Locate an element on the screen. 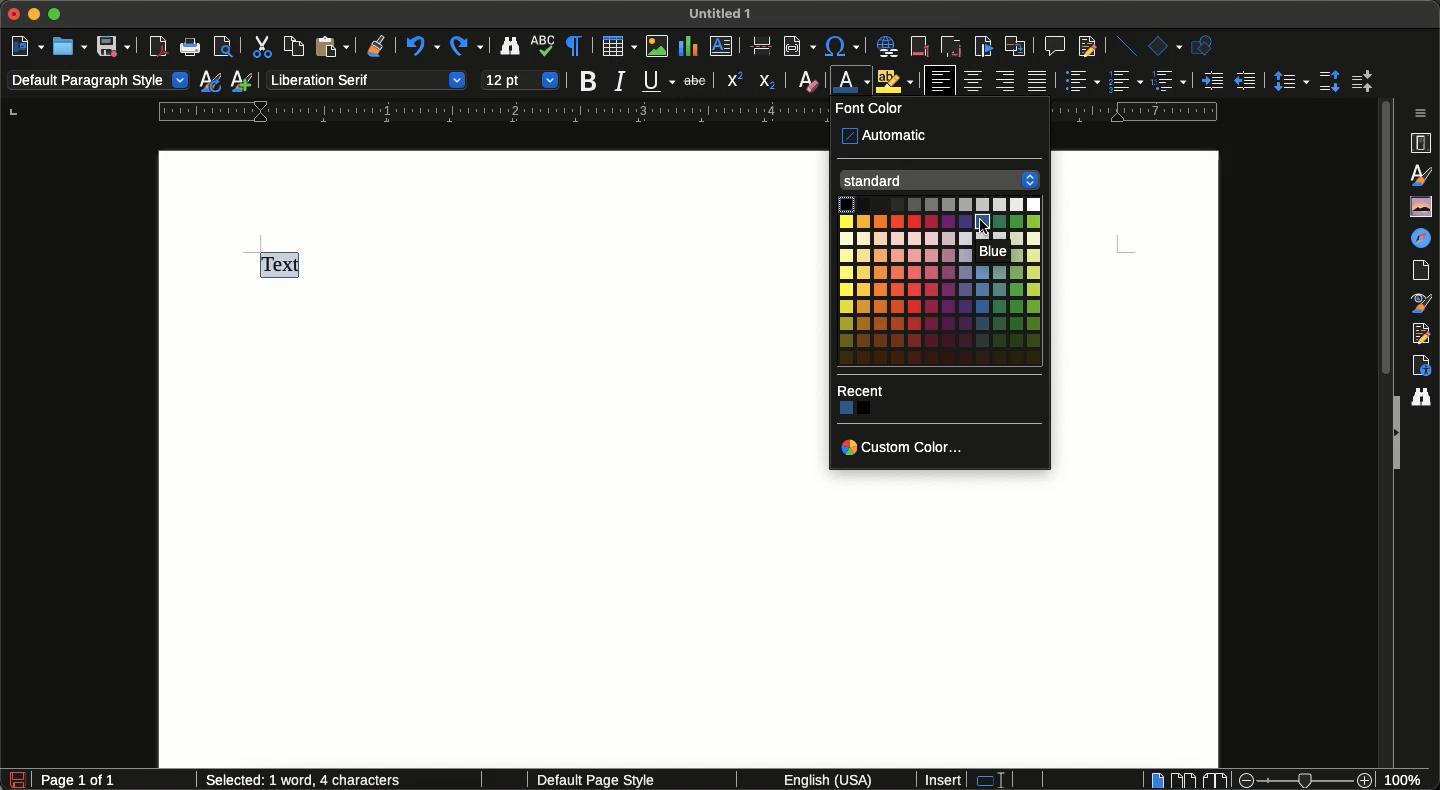 Image resolution: width=1440 pixels, height=790 pixels. Recent is located at coordinates (863, 390).